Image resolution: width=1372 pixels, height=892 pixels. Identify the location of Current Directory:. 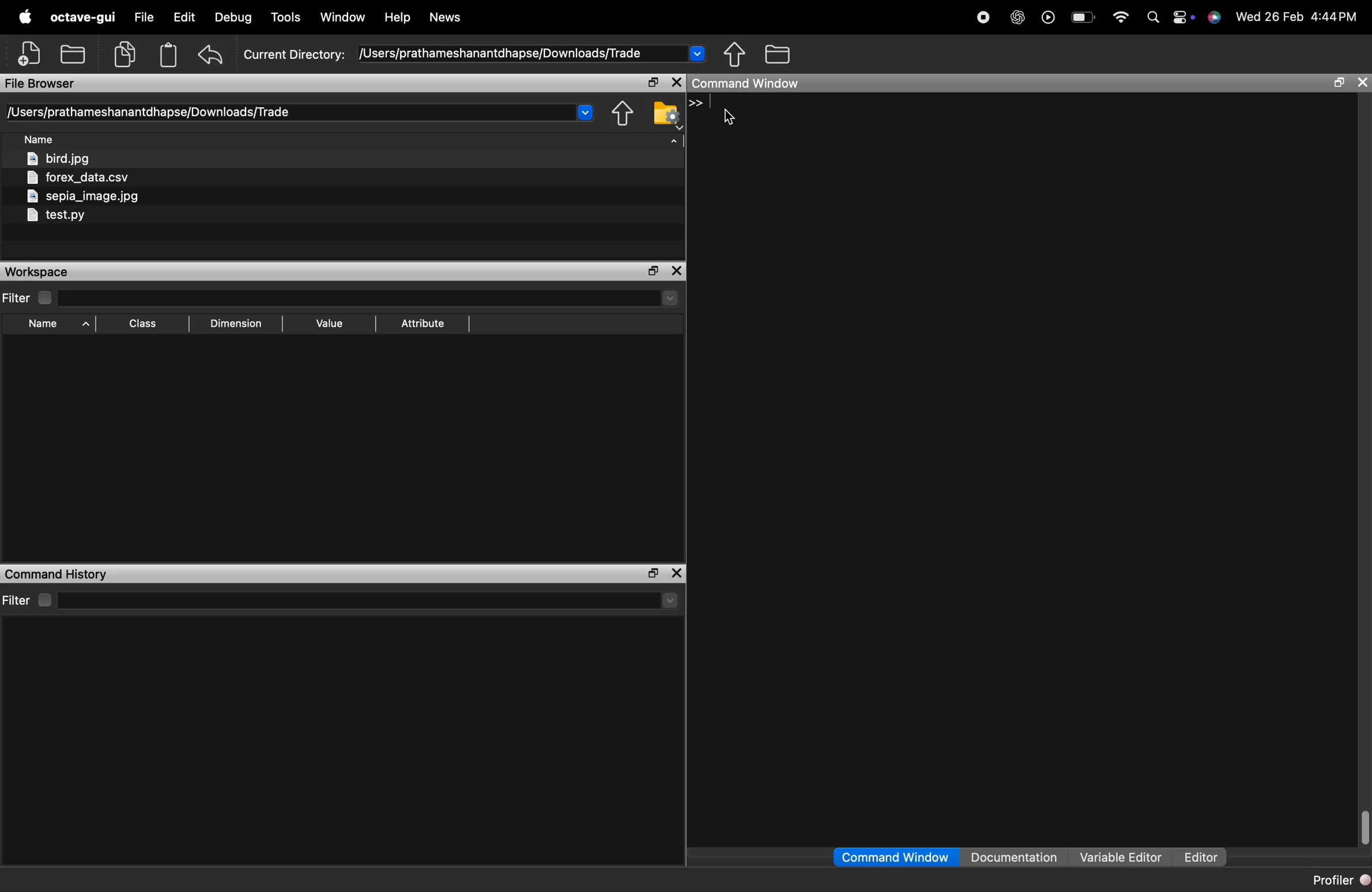
(296, 56).